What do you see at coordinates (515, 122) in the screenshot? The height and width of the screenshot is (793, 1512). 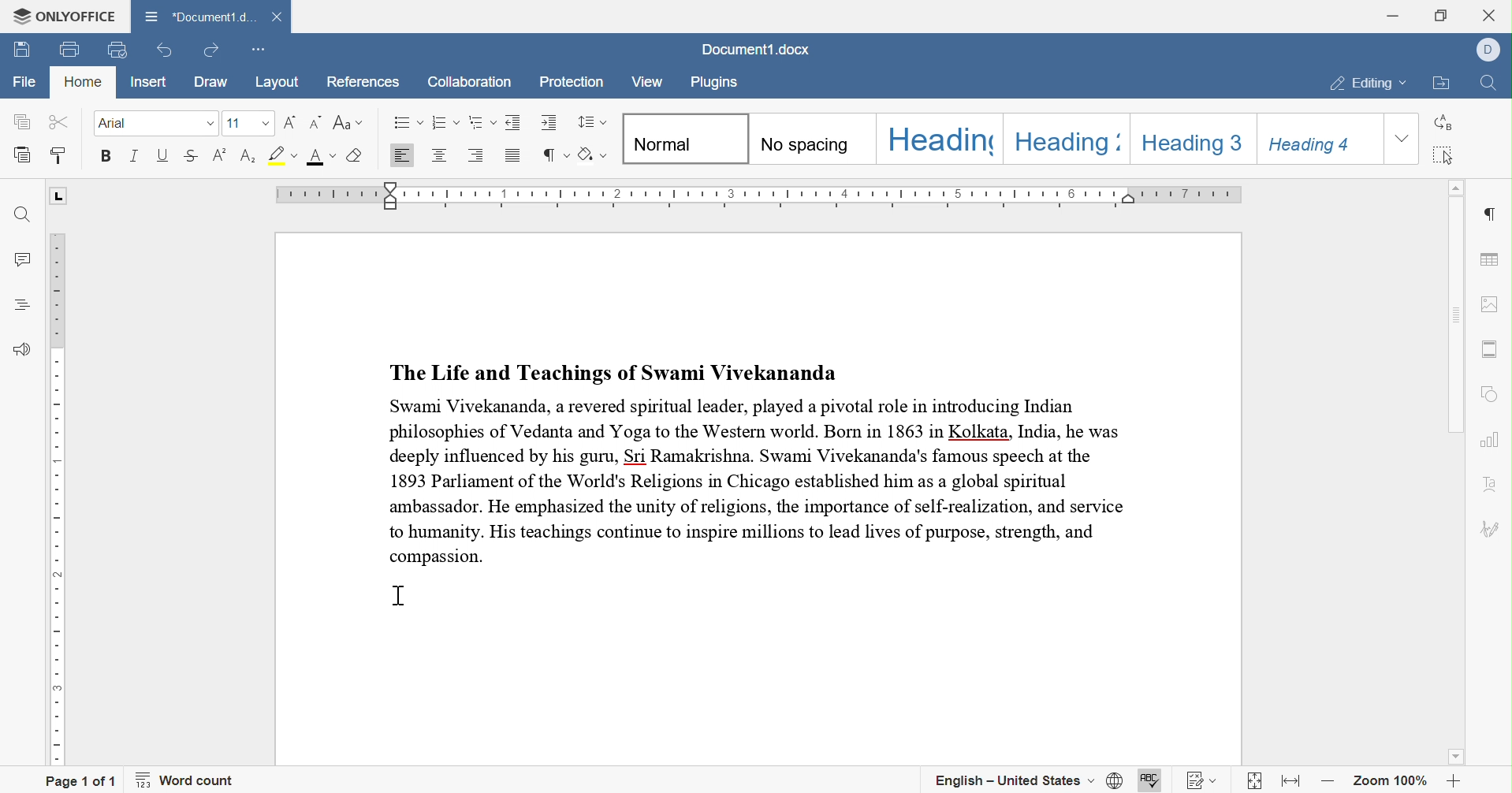 I see `decrease indent` at bounding box center [515, 122].